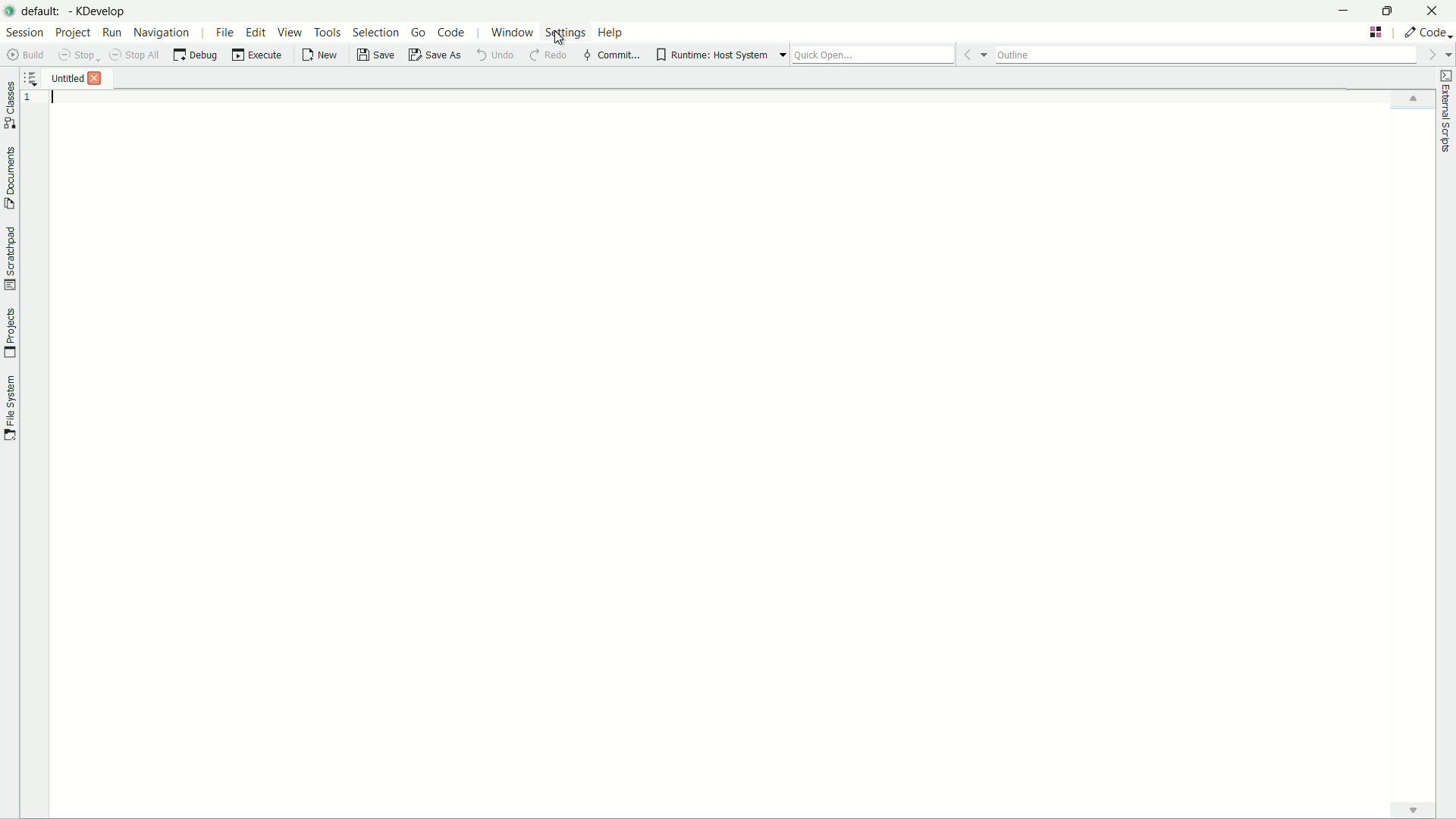  Describe the element at coordinates (134, 55) in the screenshot. I see `stop  all` at that location.